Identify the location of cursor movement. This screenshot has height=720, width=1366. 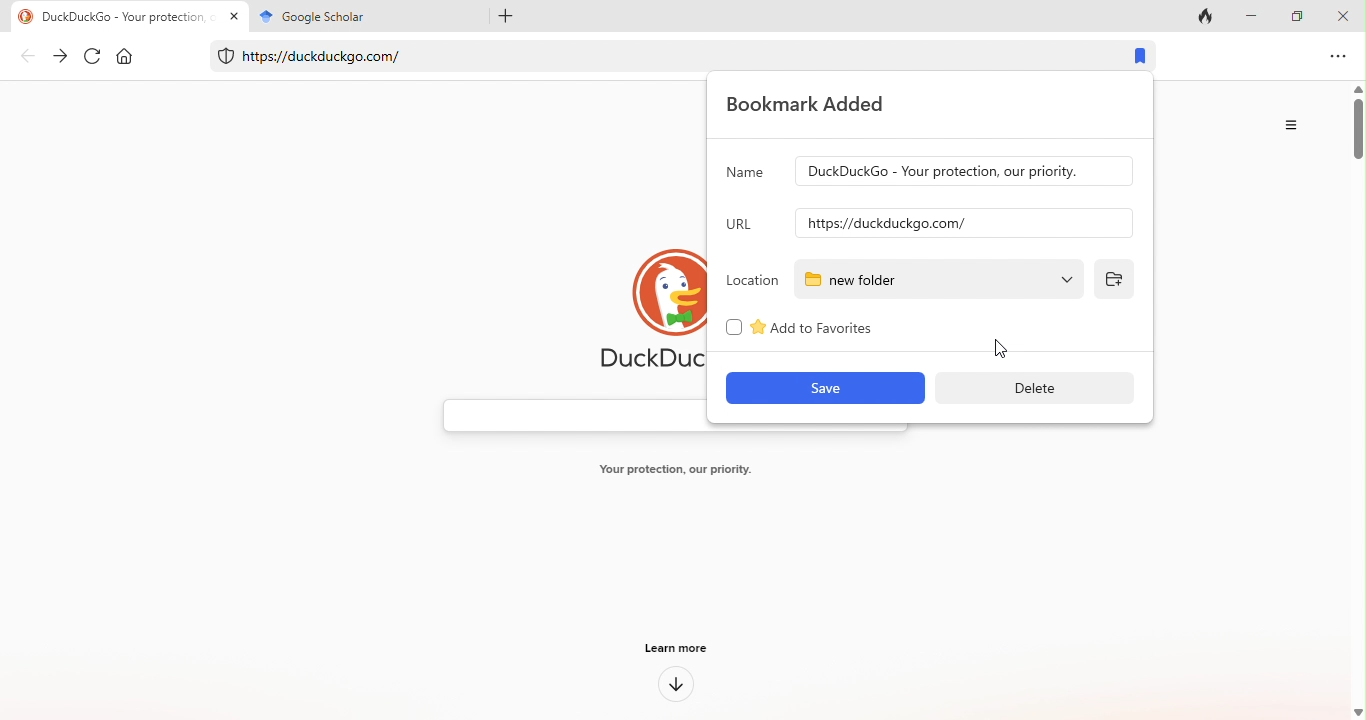
(1065, 280).